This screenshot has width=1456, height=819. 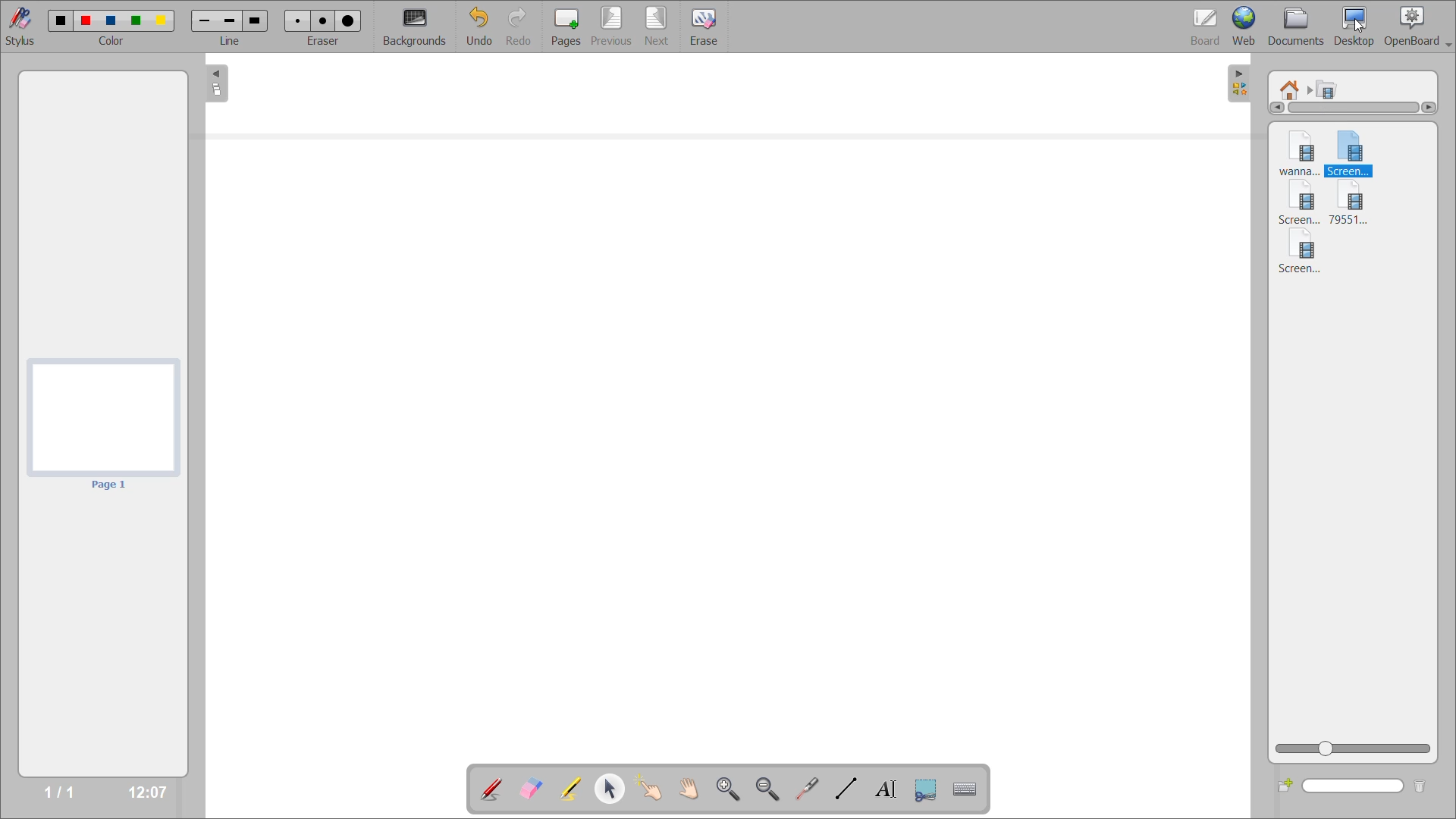 What do you see at coordinates (117, 42) in the screenshot?
I see `color ` at bounding box center [117, 42].